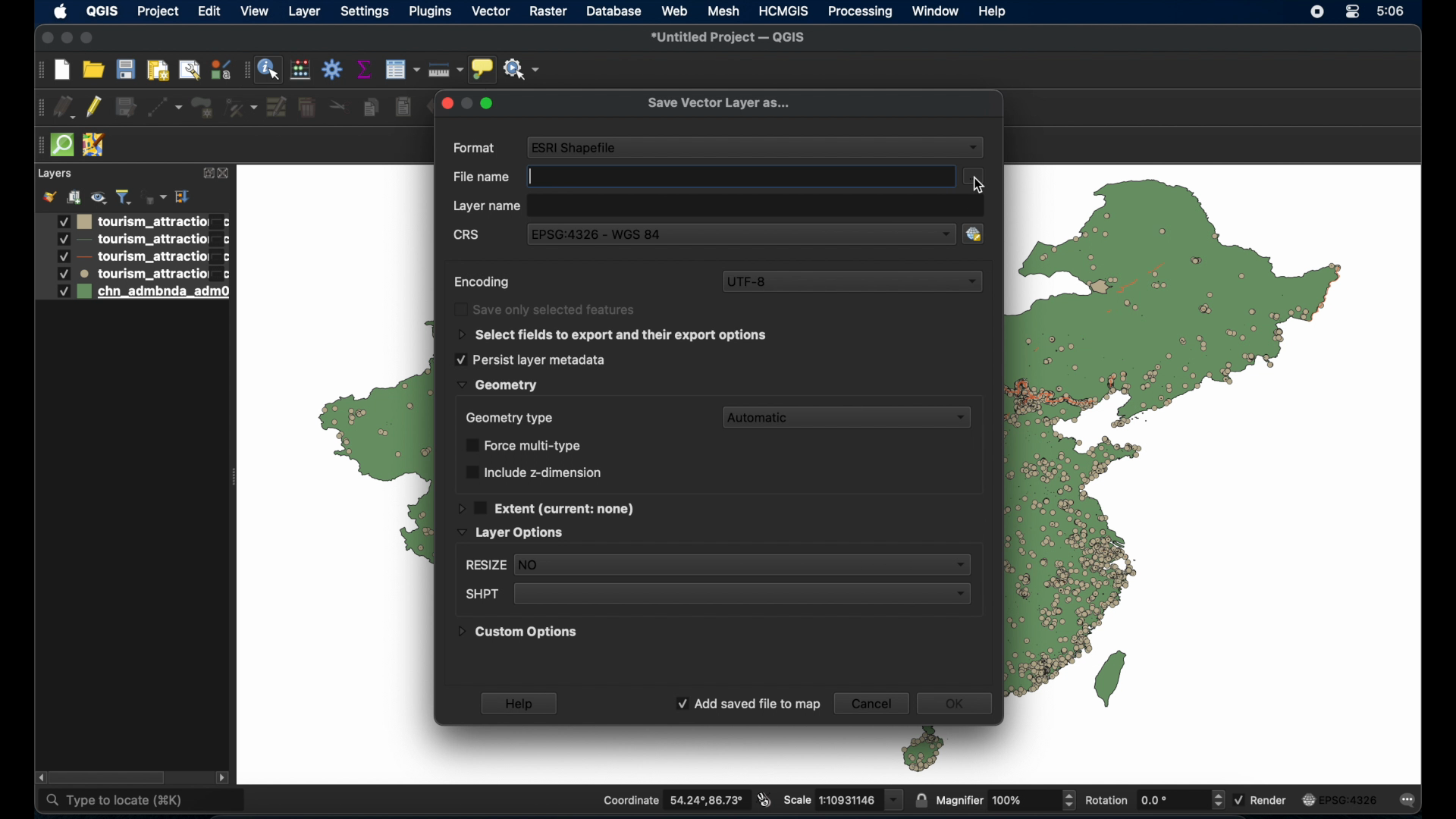 The width and height of the screenshot is (1456, 819). Describe the element at coordinates (143, 800) in the screenshot. I see `type to locate` at that location.